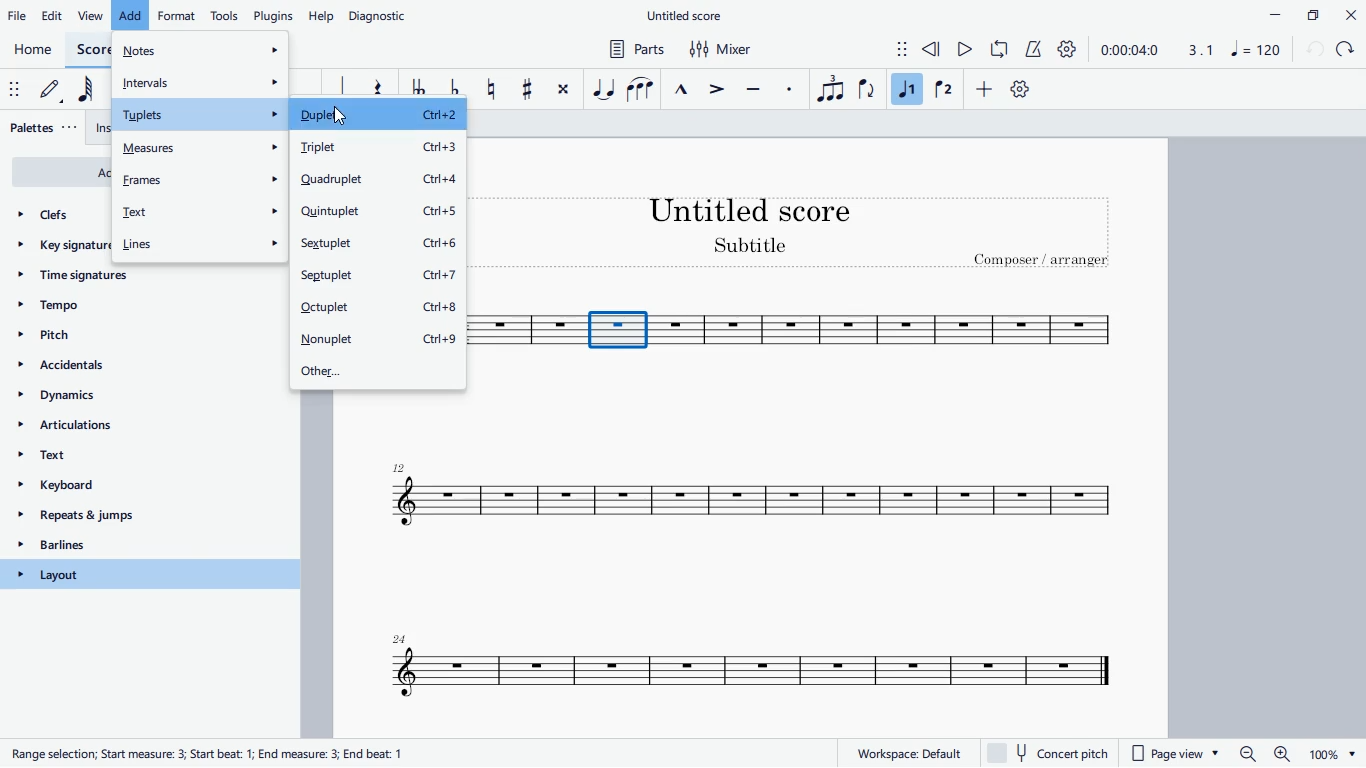 The width and height of the screenshot is (1366, 768). Describe the element at coordinates (382, 279) in the screenshot. I see `septuplet` at that location.